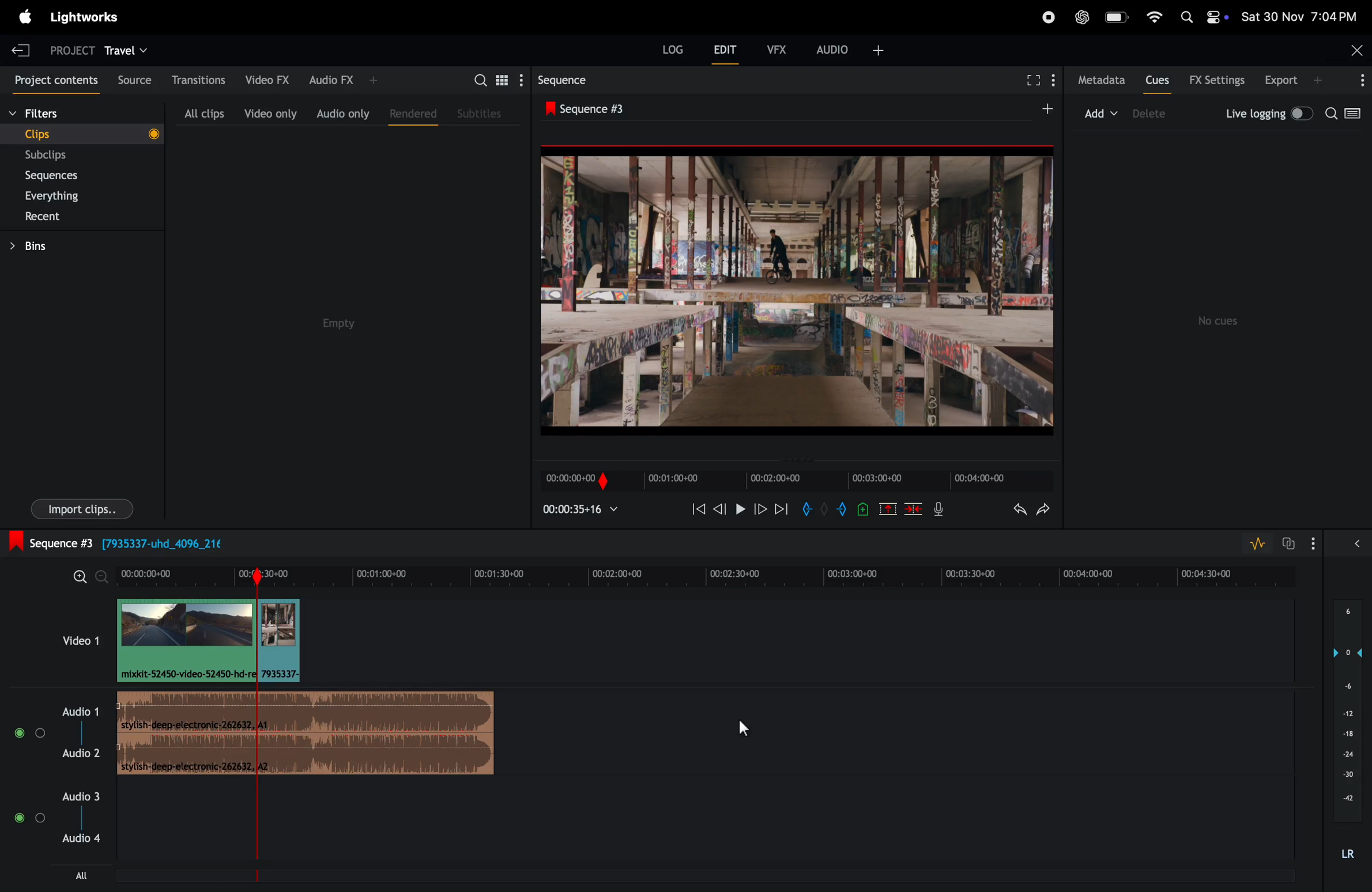 The image size is (1372, 892). I want to click on audio fx, so click(341, 80).